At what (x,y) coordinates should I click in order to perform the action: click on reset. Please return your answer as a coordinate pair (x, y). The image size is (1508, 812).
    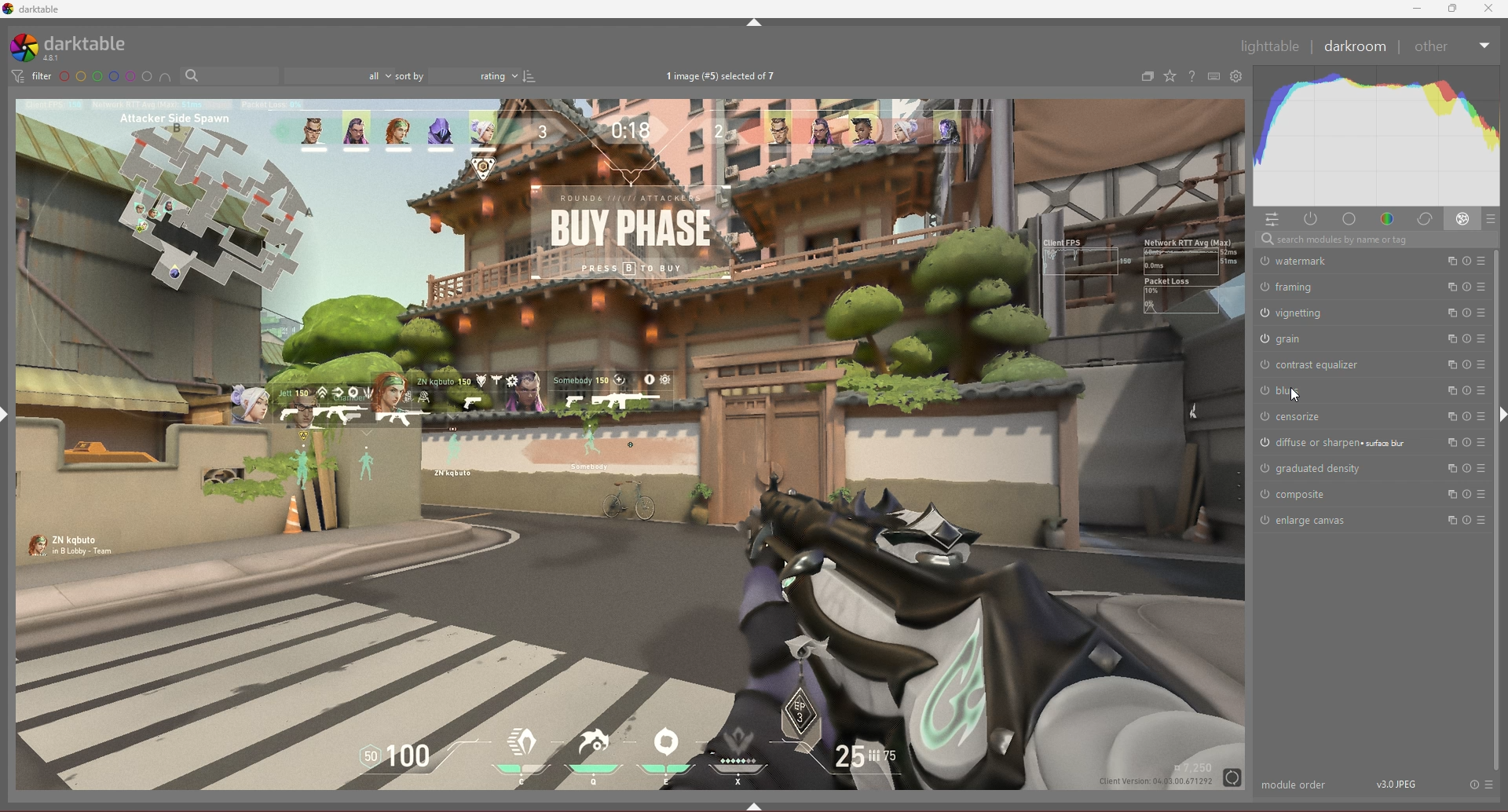
    Looking at the image, I should click on (1466, 417).